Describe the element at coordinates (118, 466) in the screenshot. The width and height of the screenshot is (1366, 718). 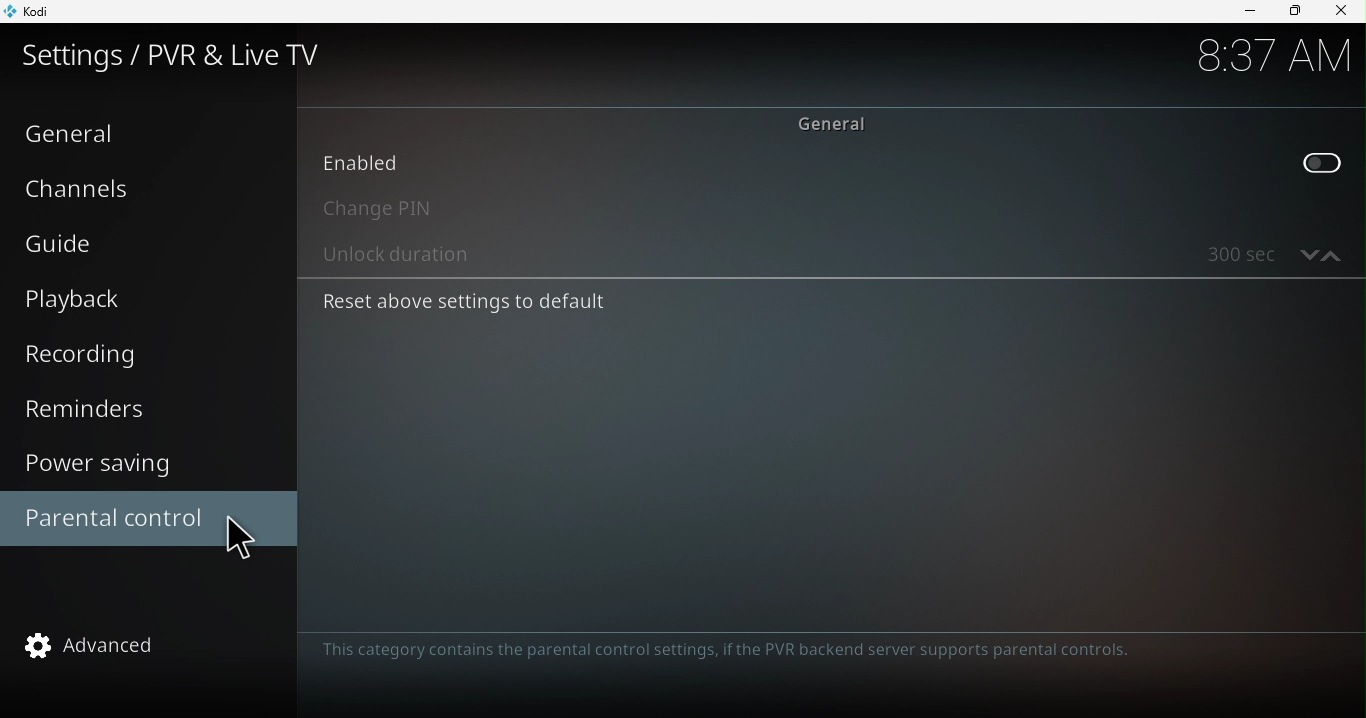
I see `Power saving` at that location.